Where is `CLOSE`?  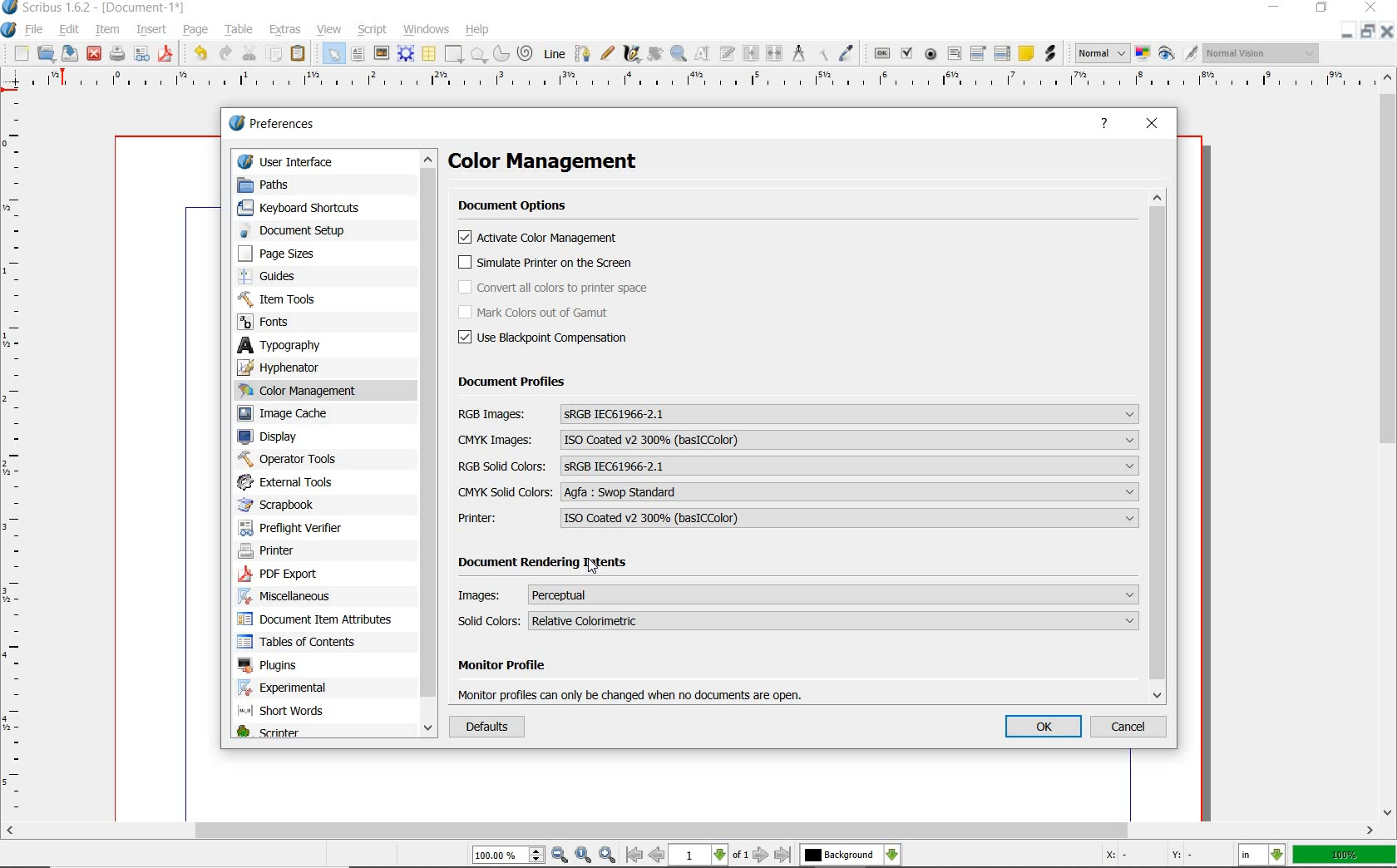 CLOSE is located at coordinates (1153, 125).